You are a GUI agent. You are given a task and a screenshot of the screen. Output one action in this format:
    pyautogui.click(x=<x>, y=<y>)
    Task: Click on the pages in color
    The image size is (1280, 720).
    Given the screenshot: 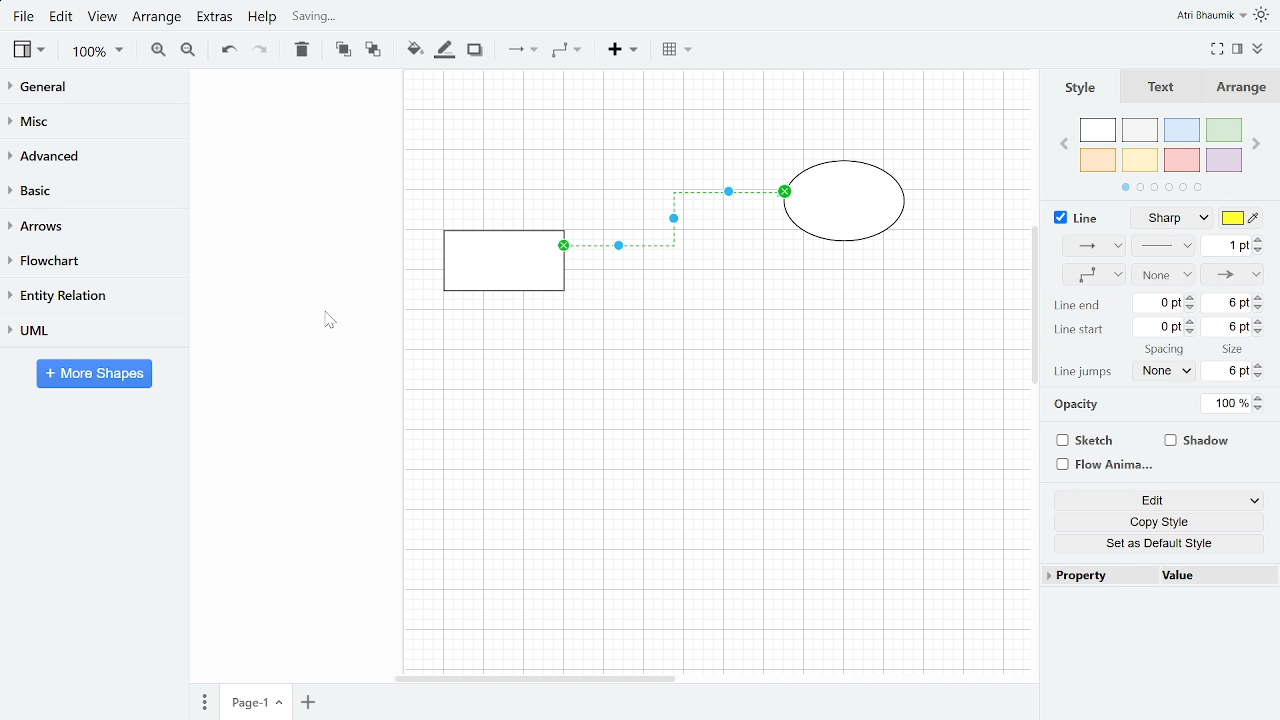 What is the action you would take?
    pyautogui.click(x=1159, y=188)
    